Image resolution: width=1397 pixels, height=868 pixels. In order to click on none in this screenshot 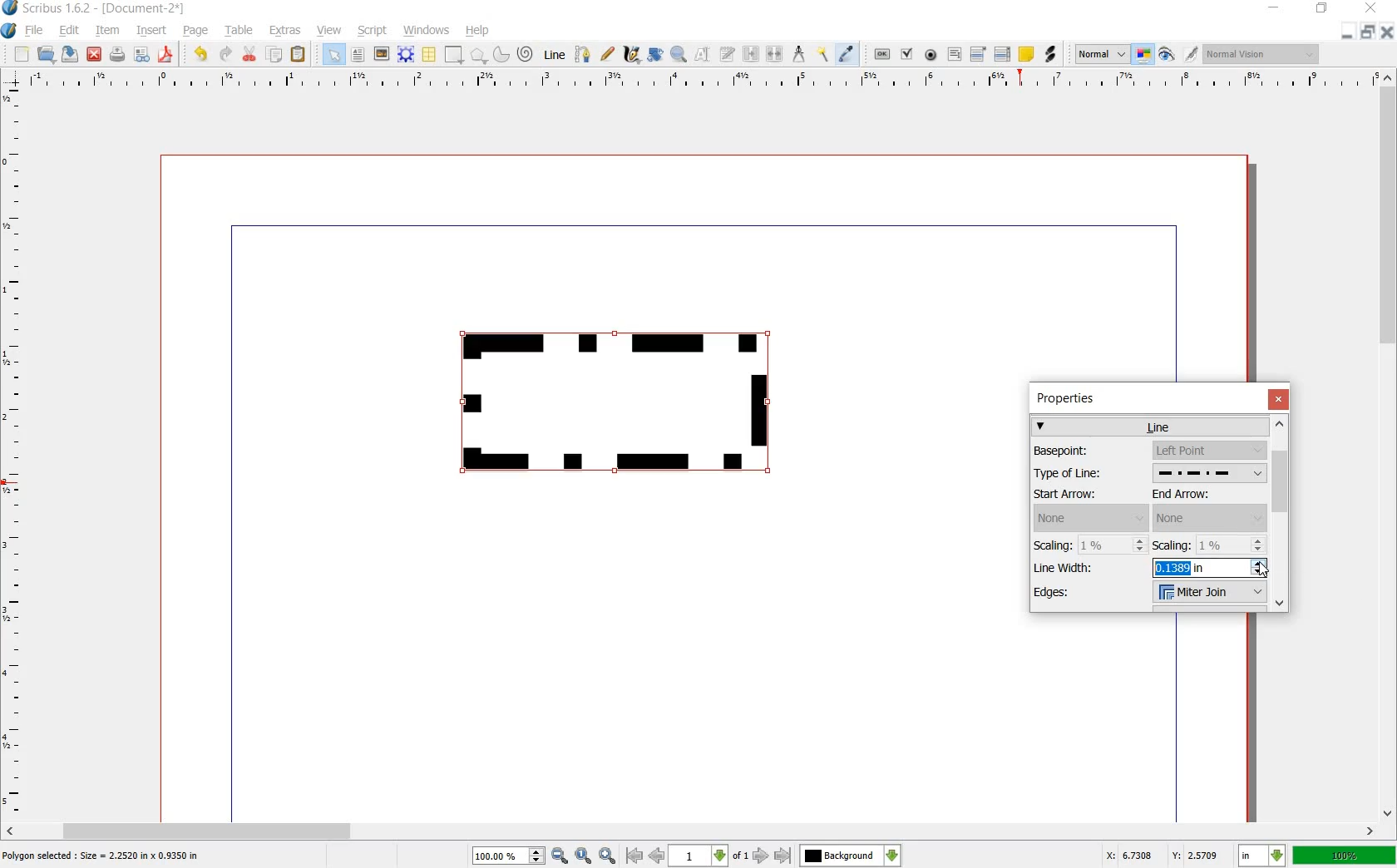, I will do `click(1090, 518)`.